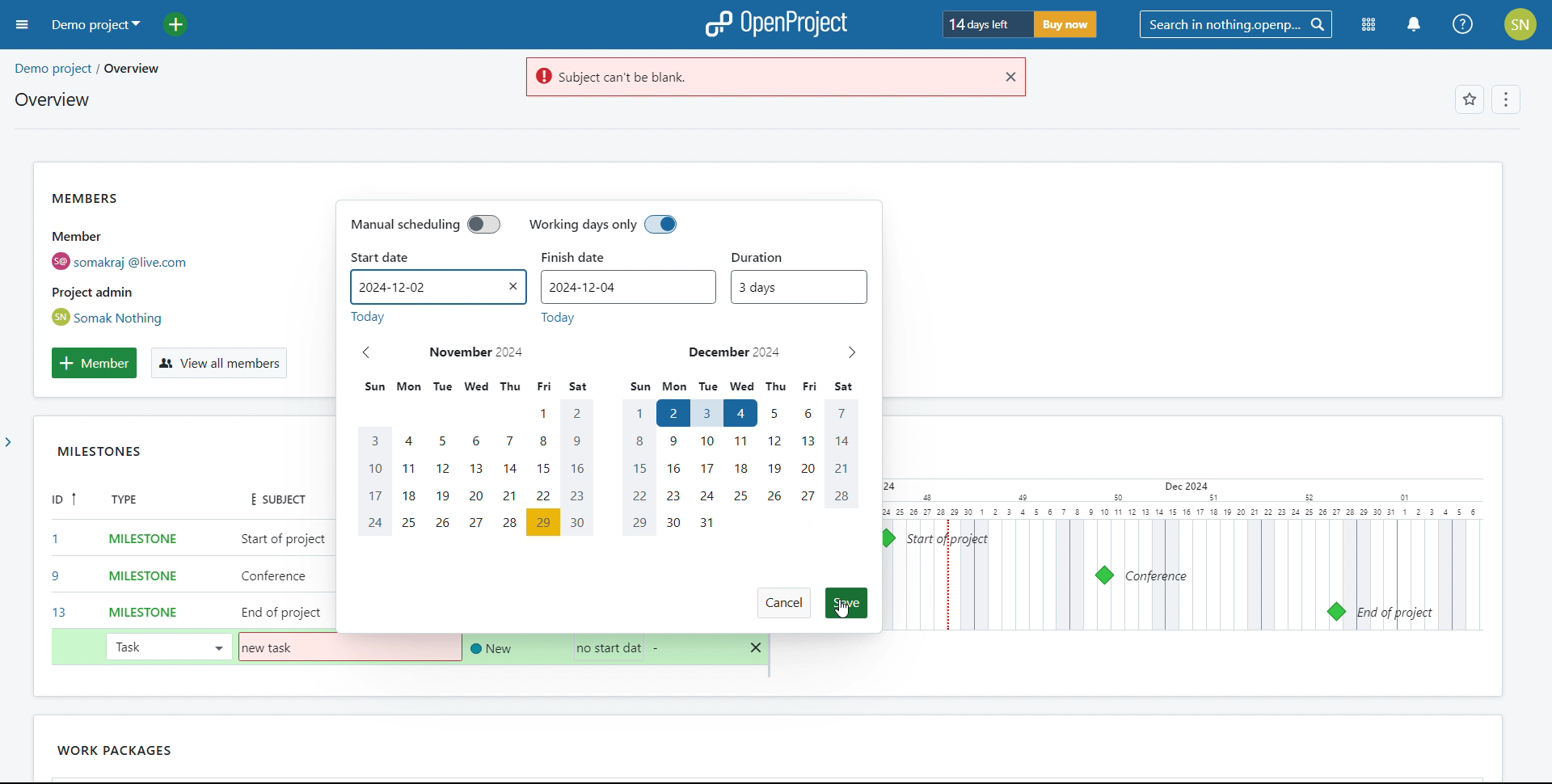 The height and width of the screenshot is (784, 1552). Describe the element at coordinates (1104, 575) in the screenshot. I see `milestone 9` at that location.